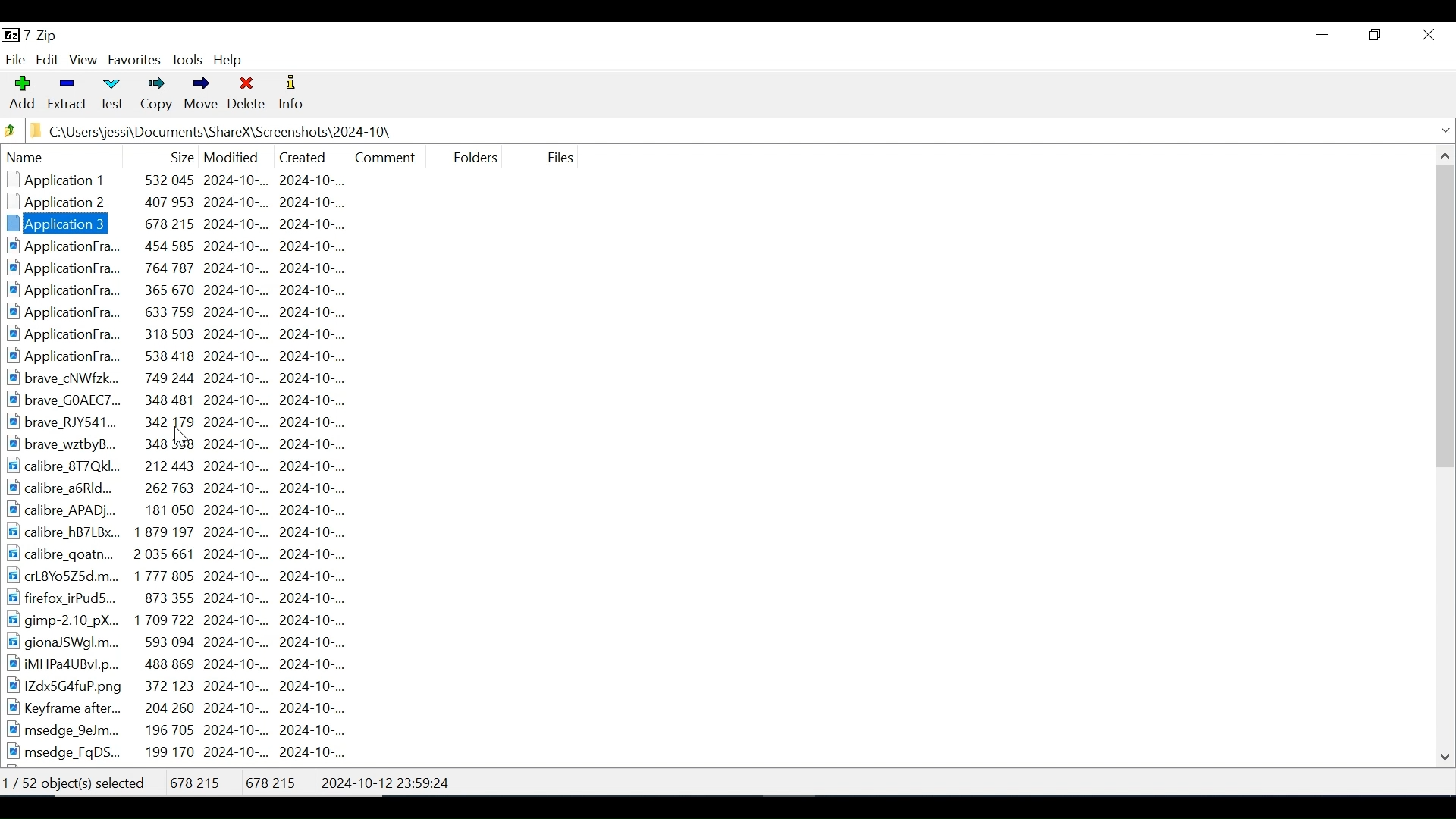 This screenshot has width=1456, height=819. Describe the element at coordinates (185, 730) in the screenshot. I see `msedge 9eJm... 196 705 2024-10-.. 2024-10-...` at that location.